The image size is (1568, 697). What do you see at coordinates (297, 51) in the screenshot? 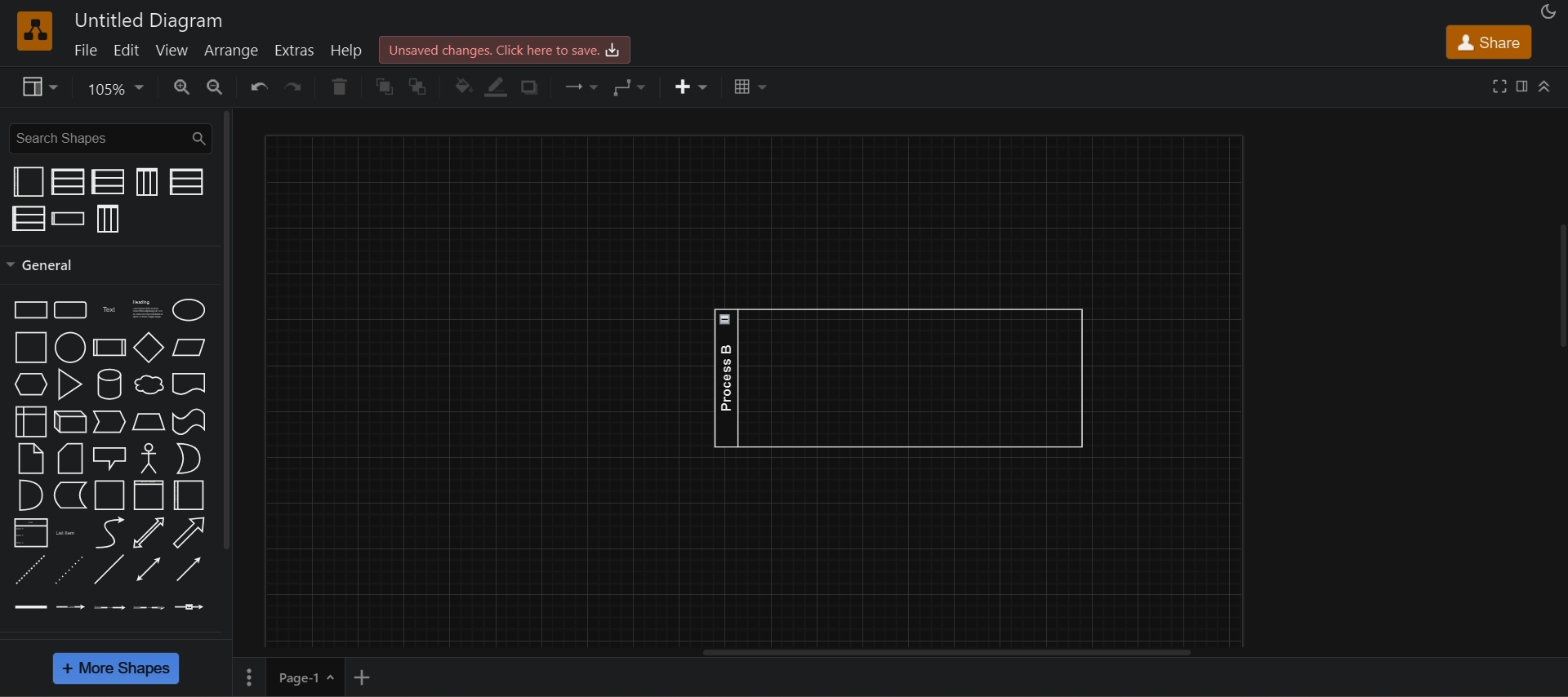
I see `extras` at bounding box center [297, 51].